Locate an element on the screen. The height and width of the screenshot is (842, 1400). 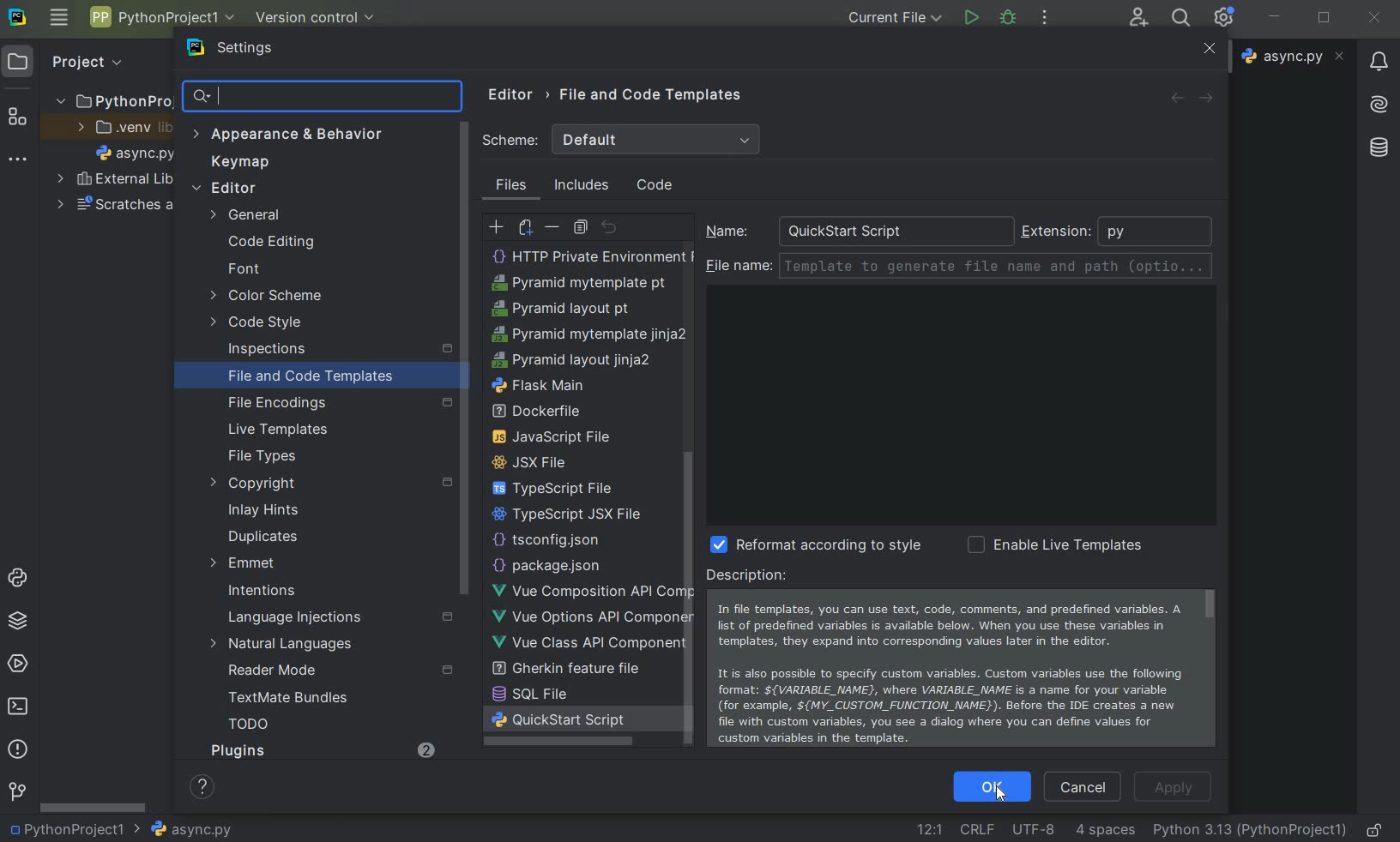
services is located at coordinates (19, 663).